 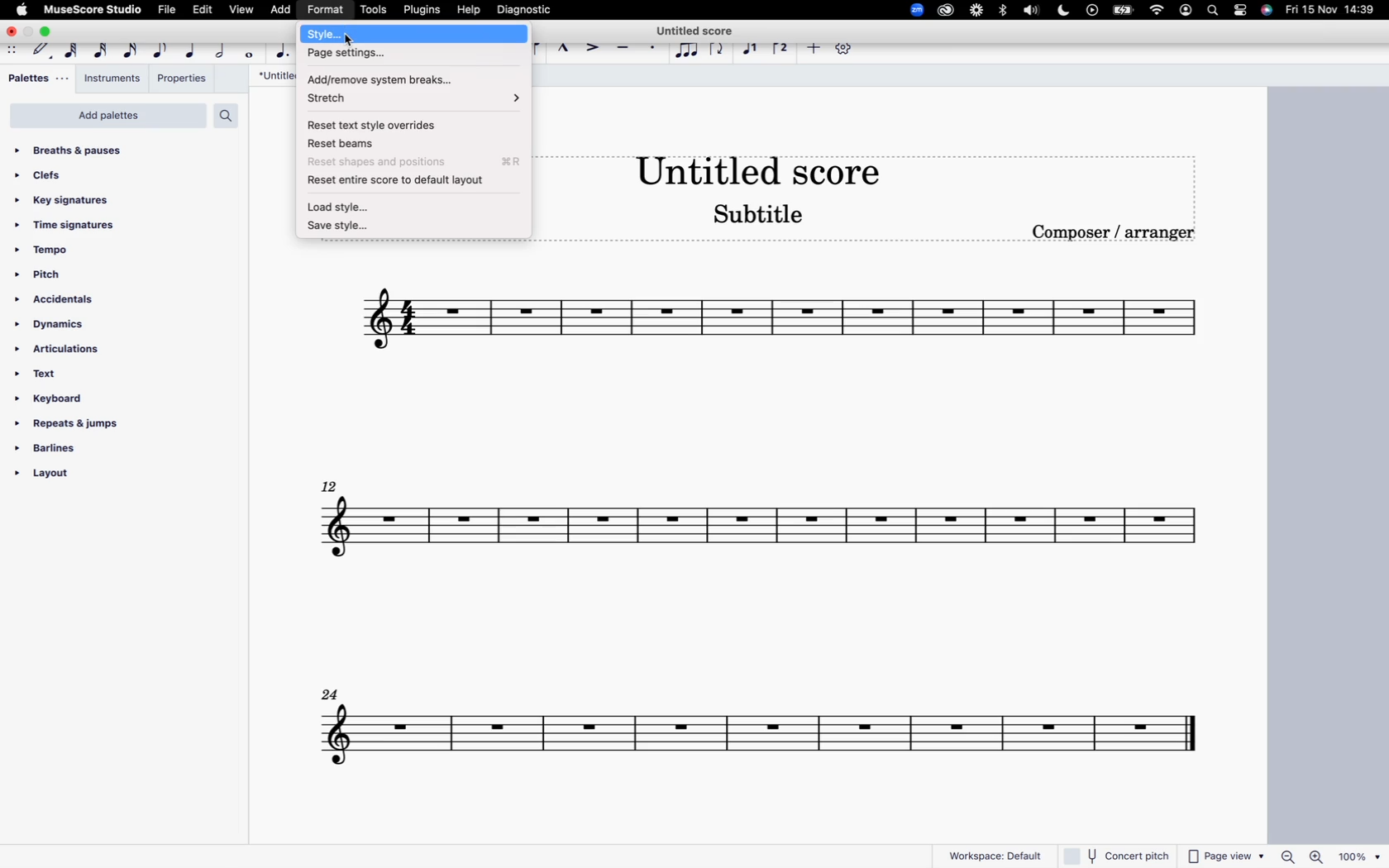 I want to click on battery, so click(x=1124, y=9).